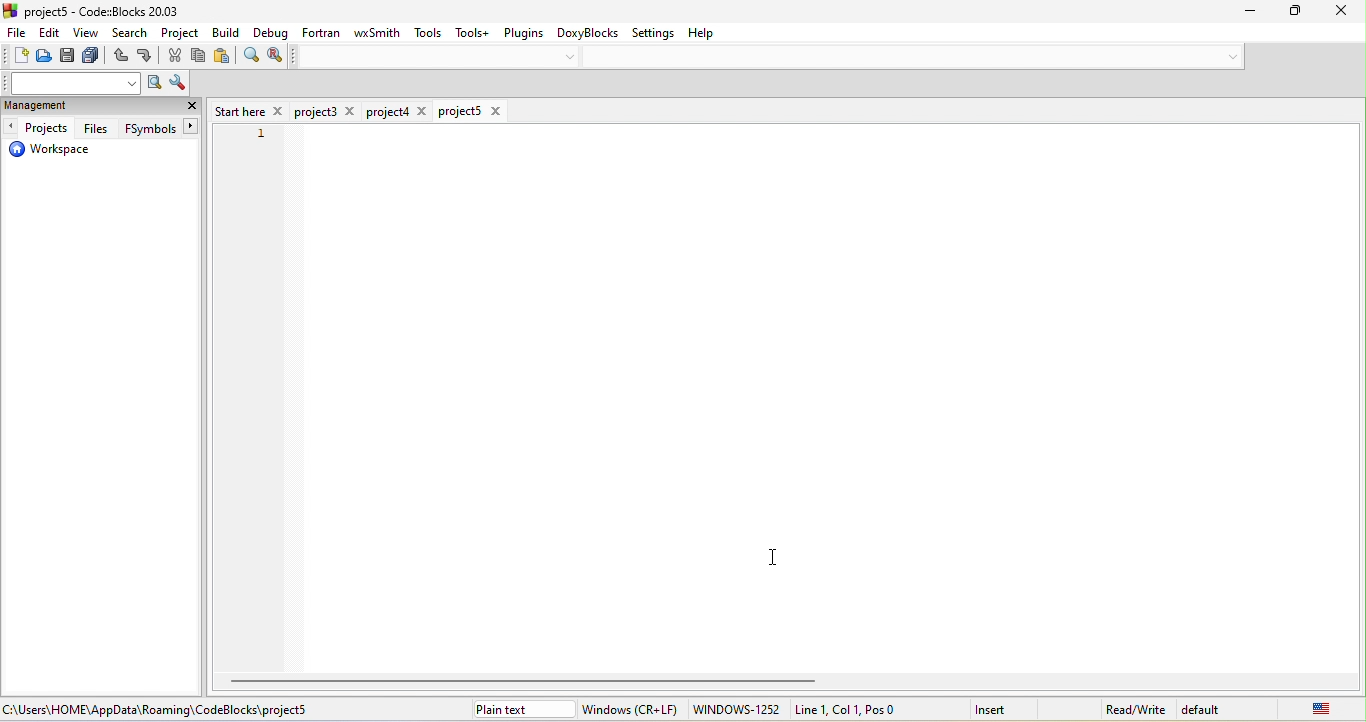  Describe the element at coordinates (176, 57) in the screenshot. I see `cut` at that location.